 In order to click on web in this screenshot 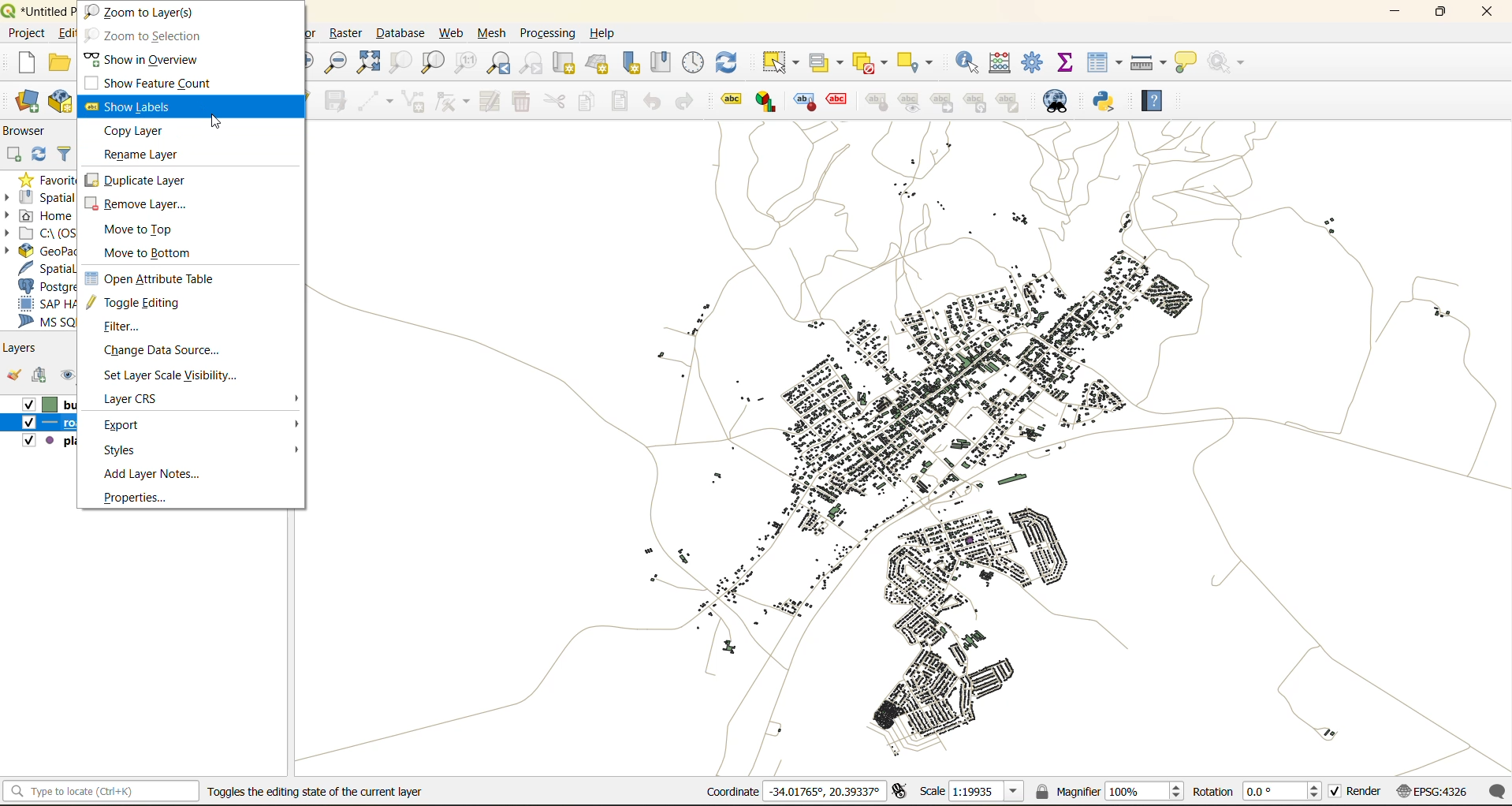, I will do `click(455, 33)`.